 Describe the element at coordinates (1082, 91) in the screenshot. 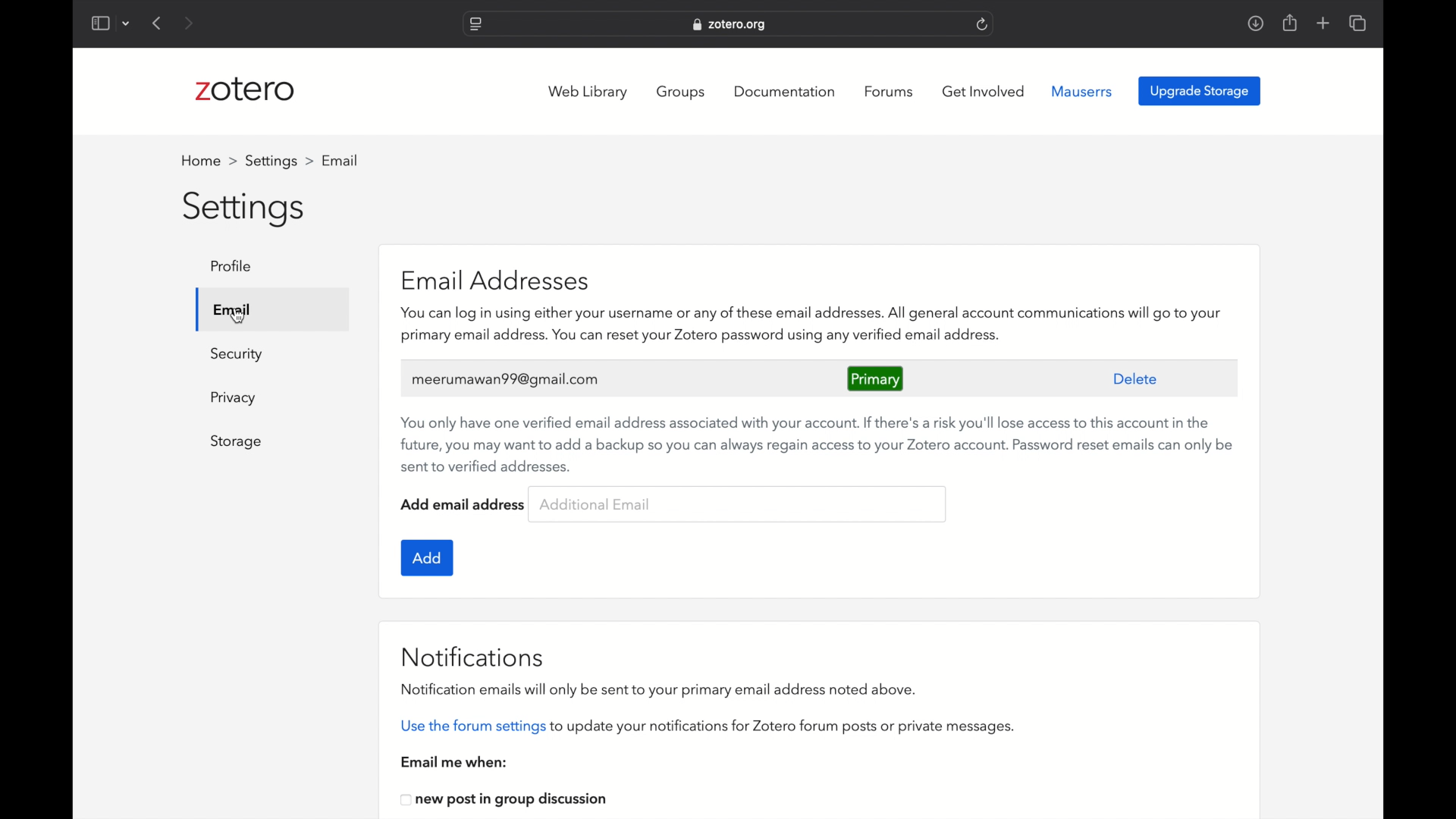

I see `mauserrs` at that location.